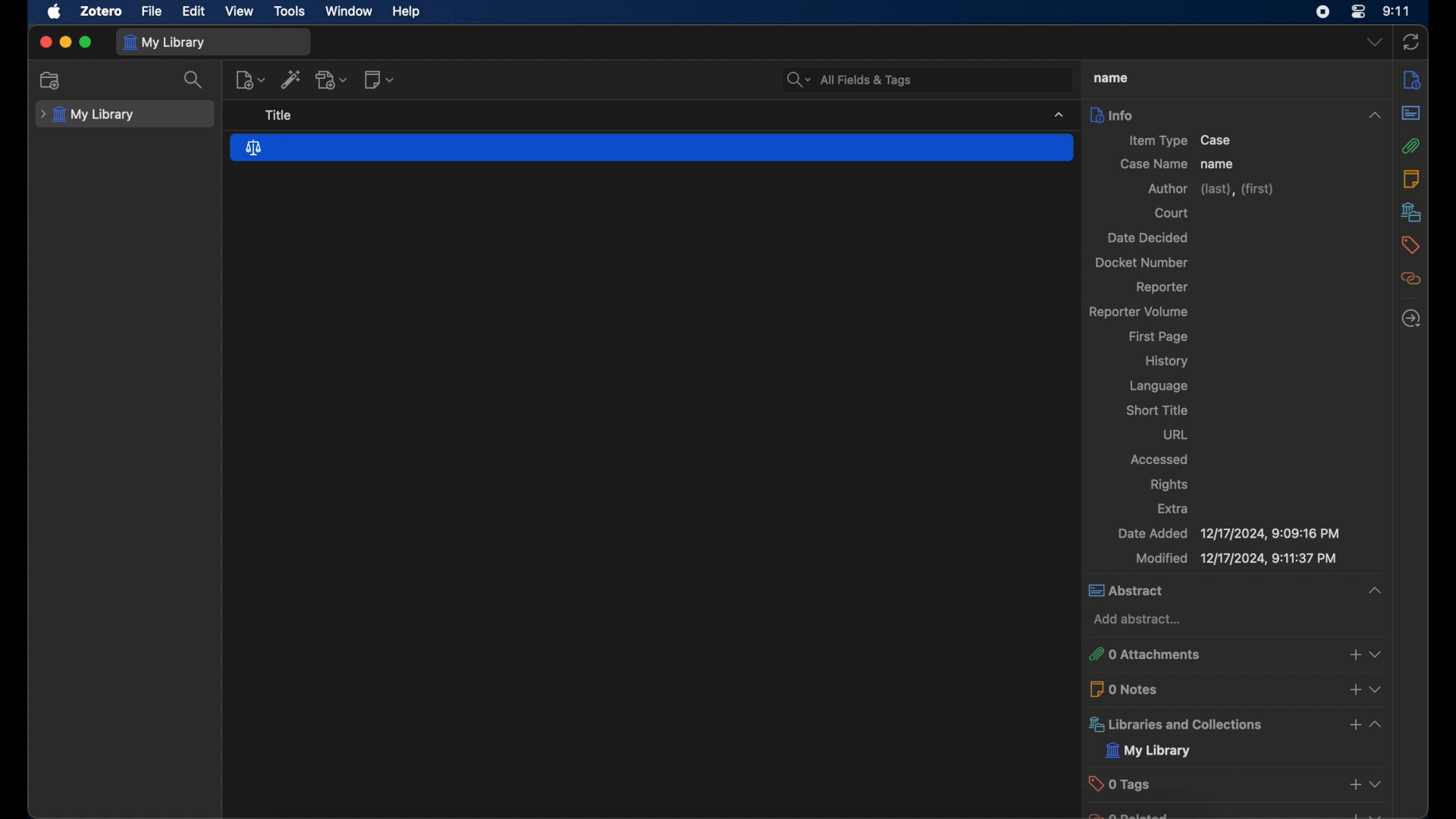 The width and height of the screenshot is (1456, 819). I want to click on add attachment, so click(333, 80).